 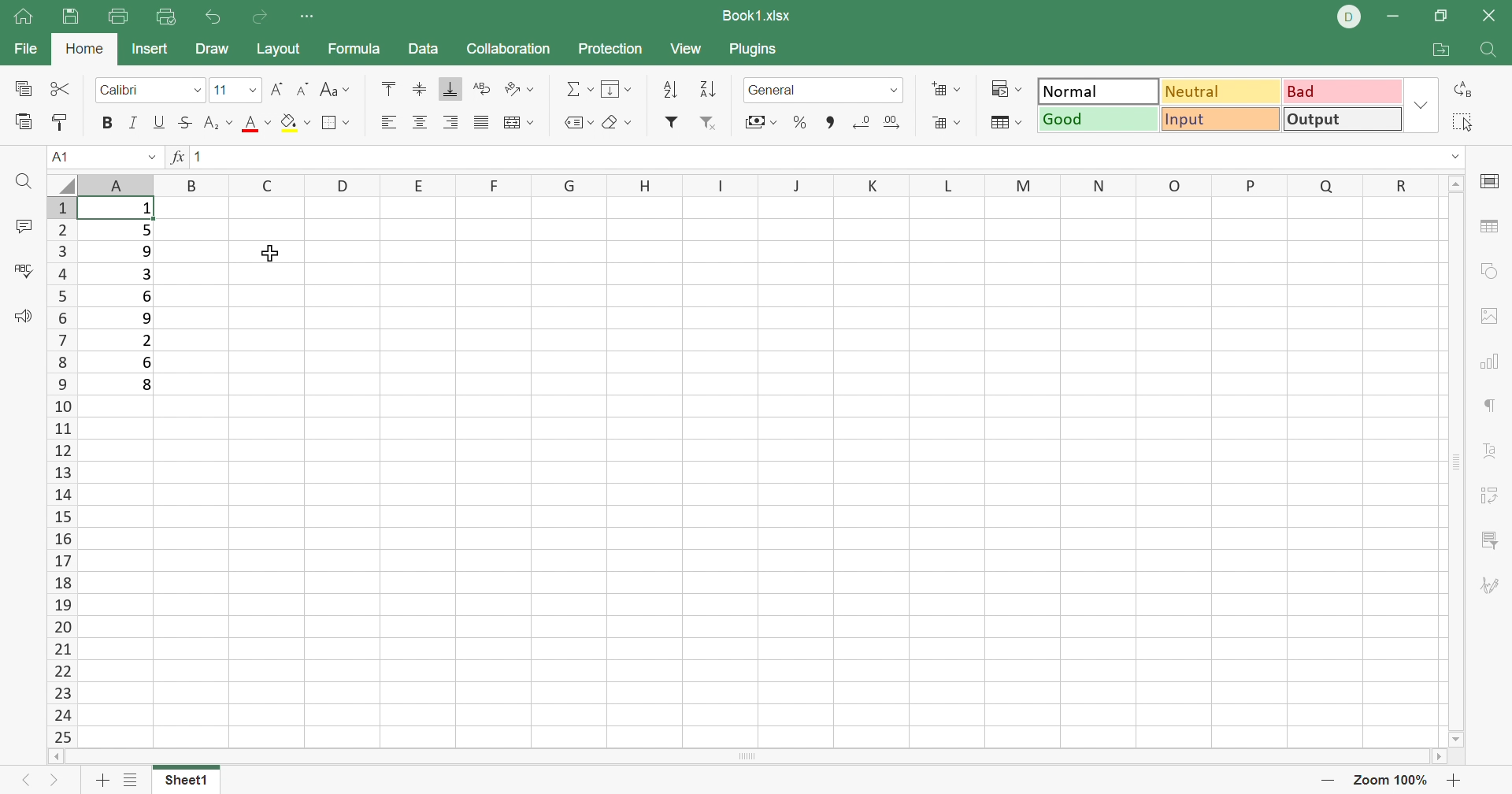 What do you see at coordinates (1453, 780) in the screenshot?
I see `Zoom in` at bounding box center [1453, 780].